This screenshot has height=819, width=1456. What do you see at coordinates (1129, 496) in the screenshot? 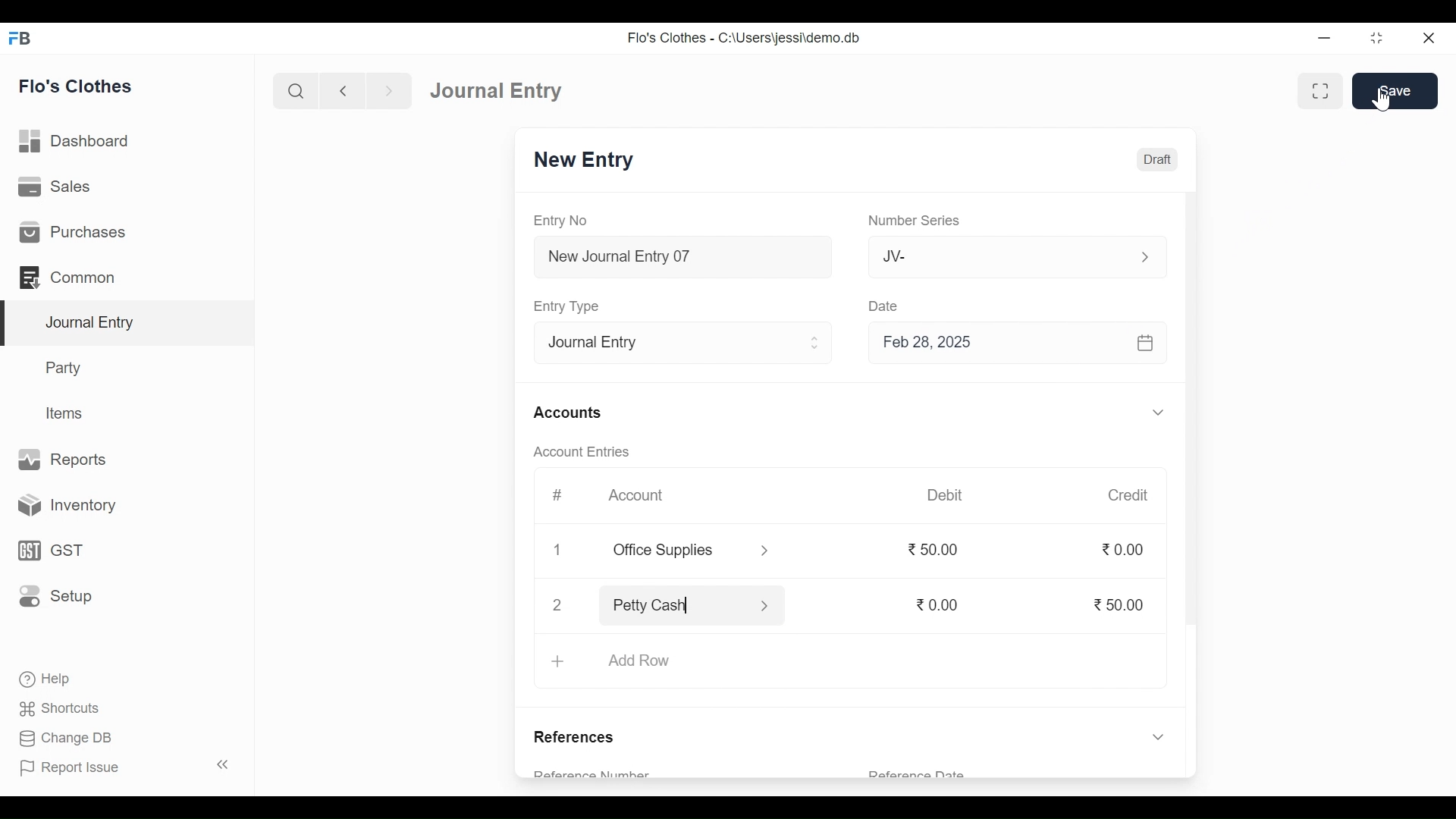
I see `Credit` at bounding box center [1129, 496].